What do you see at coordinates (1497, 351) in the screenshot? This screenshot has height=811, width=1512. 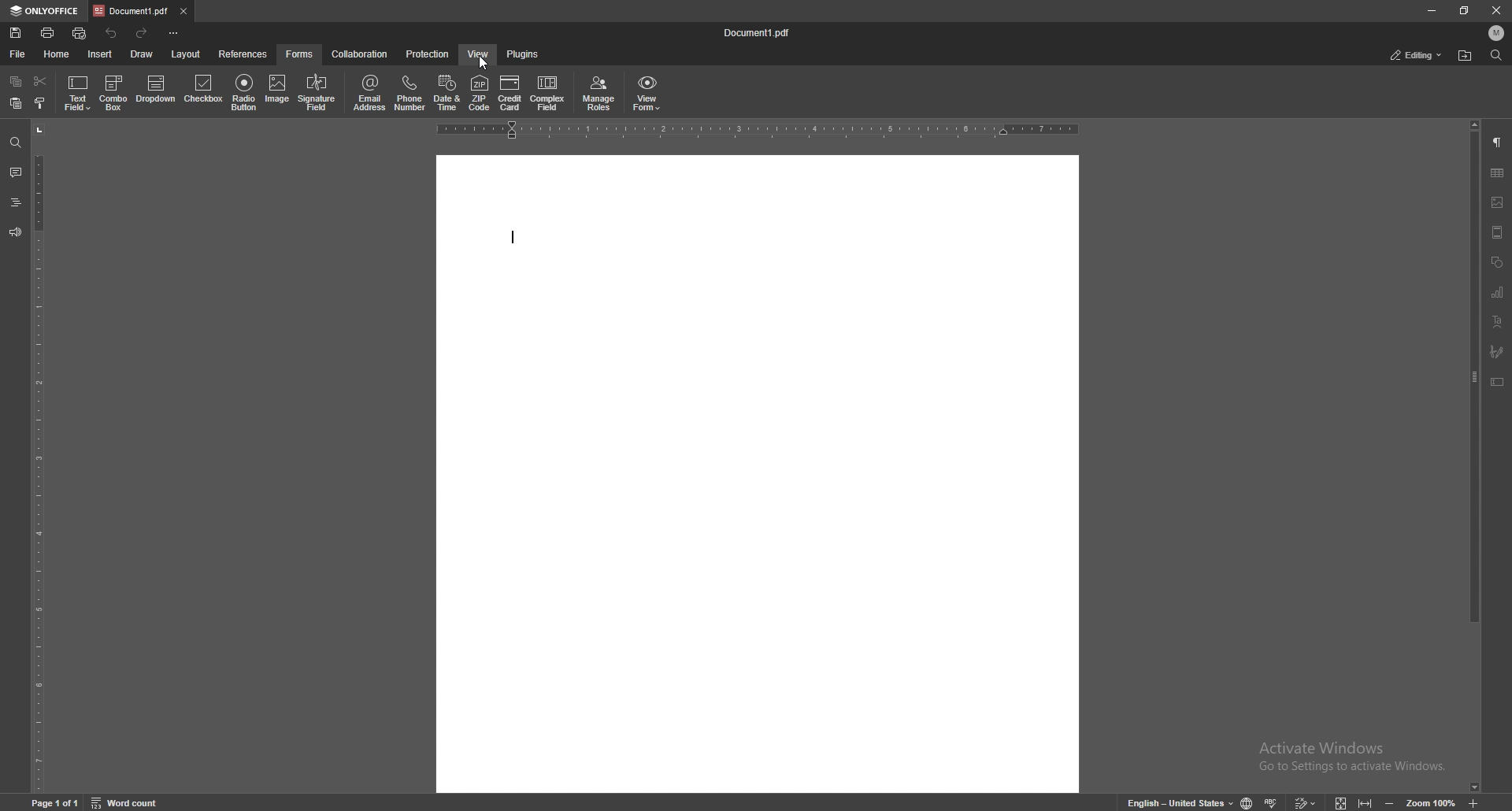 I see `signature field` at bounding box center [1497, 351].